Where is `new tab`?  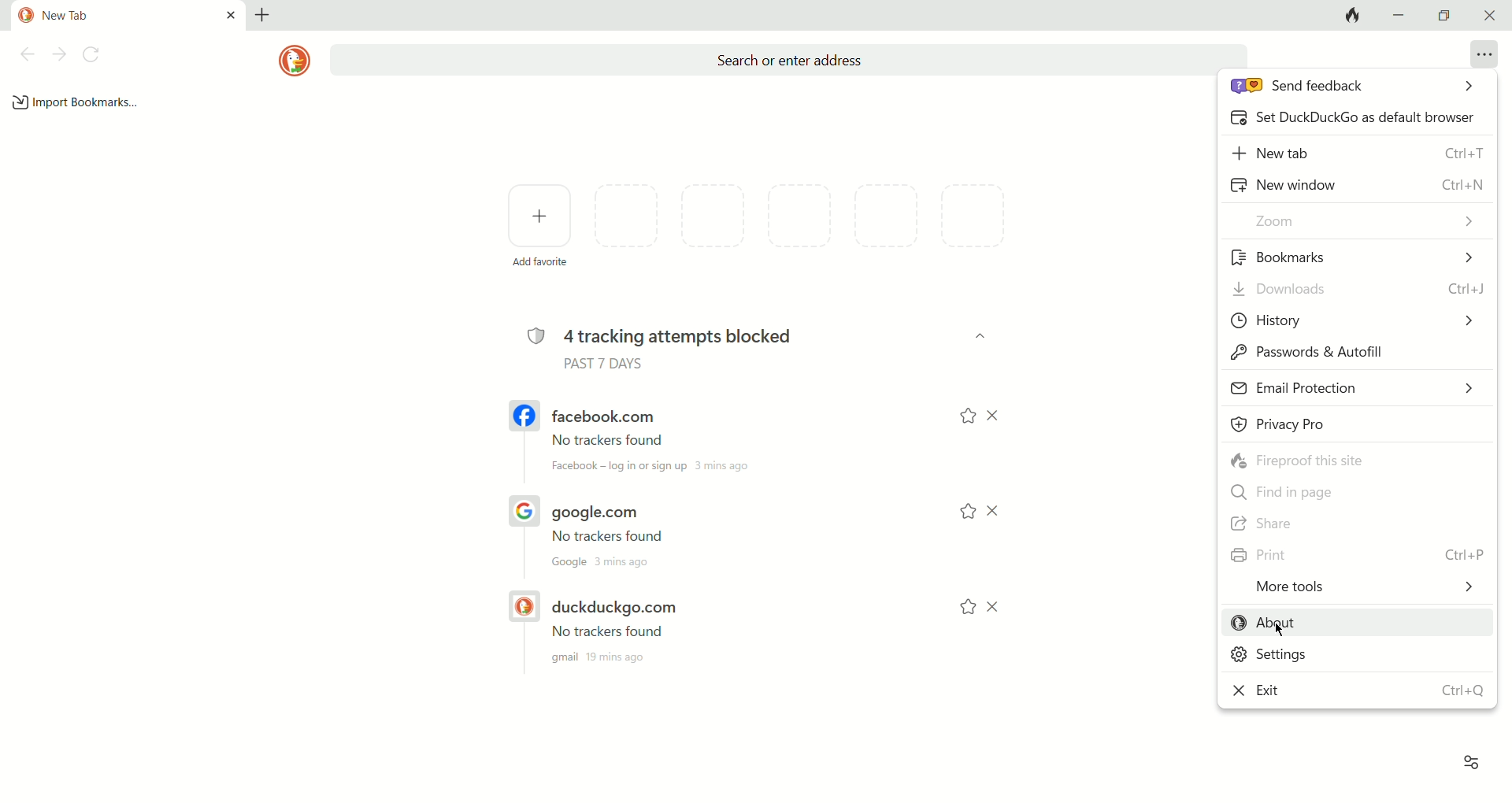 new tab is located at coordinates (1360, 155).